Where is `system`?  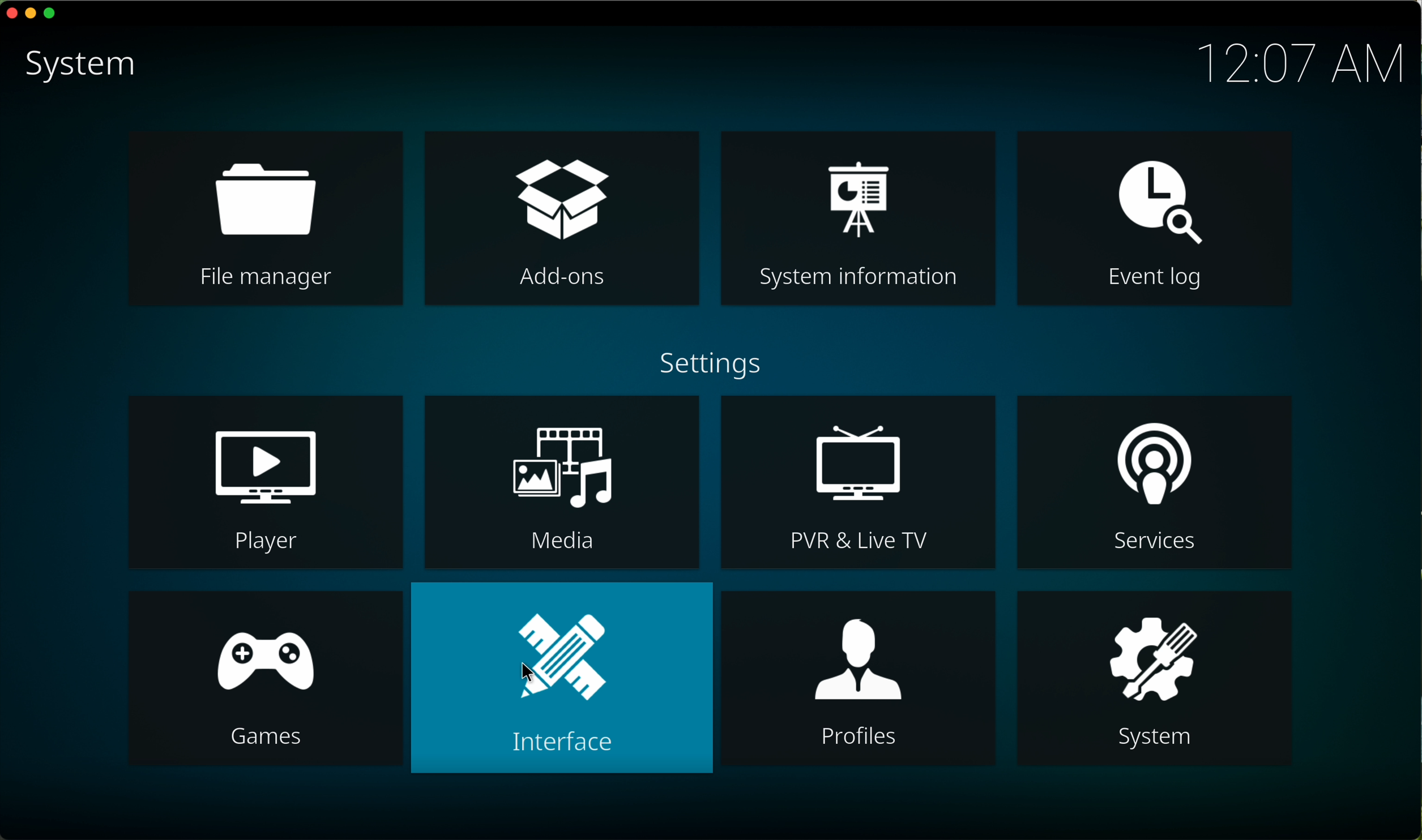
system is located at coordinates (1154, 679).